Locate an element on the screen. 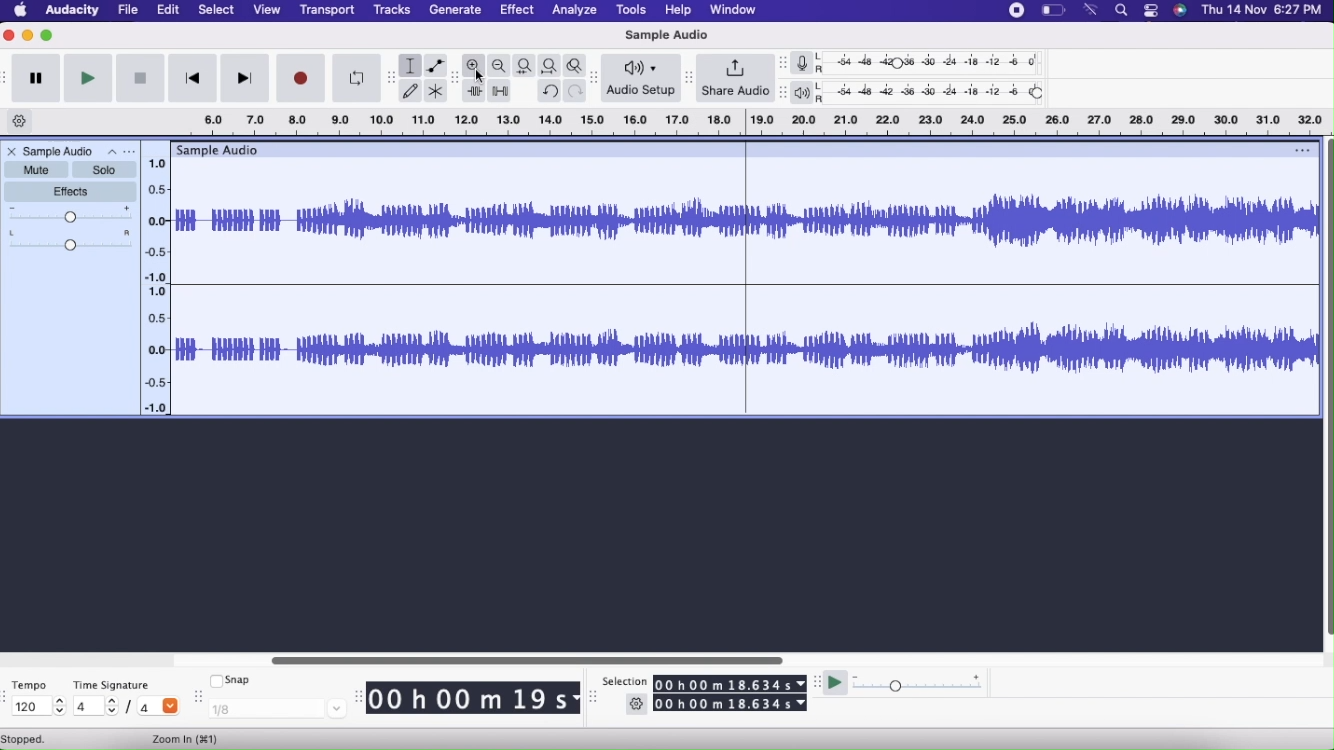 The image size is (1334, 750). 4 is located at coordinates (95, 707).